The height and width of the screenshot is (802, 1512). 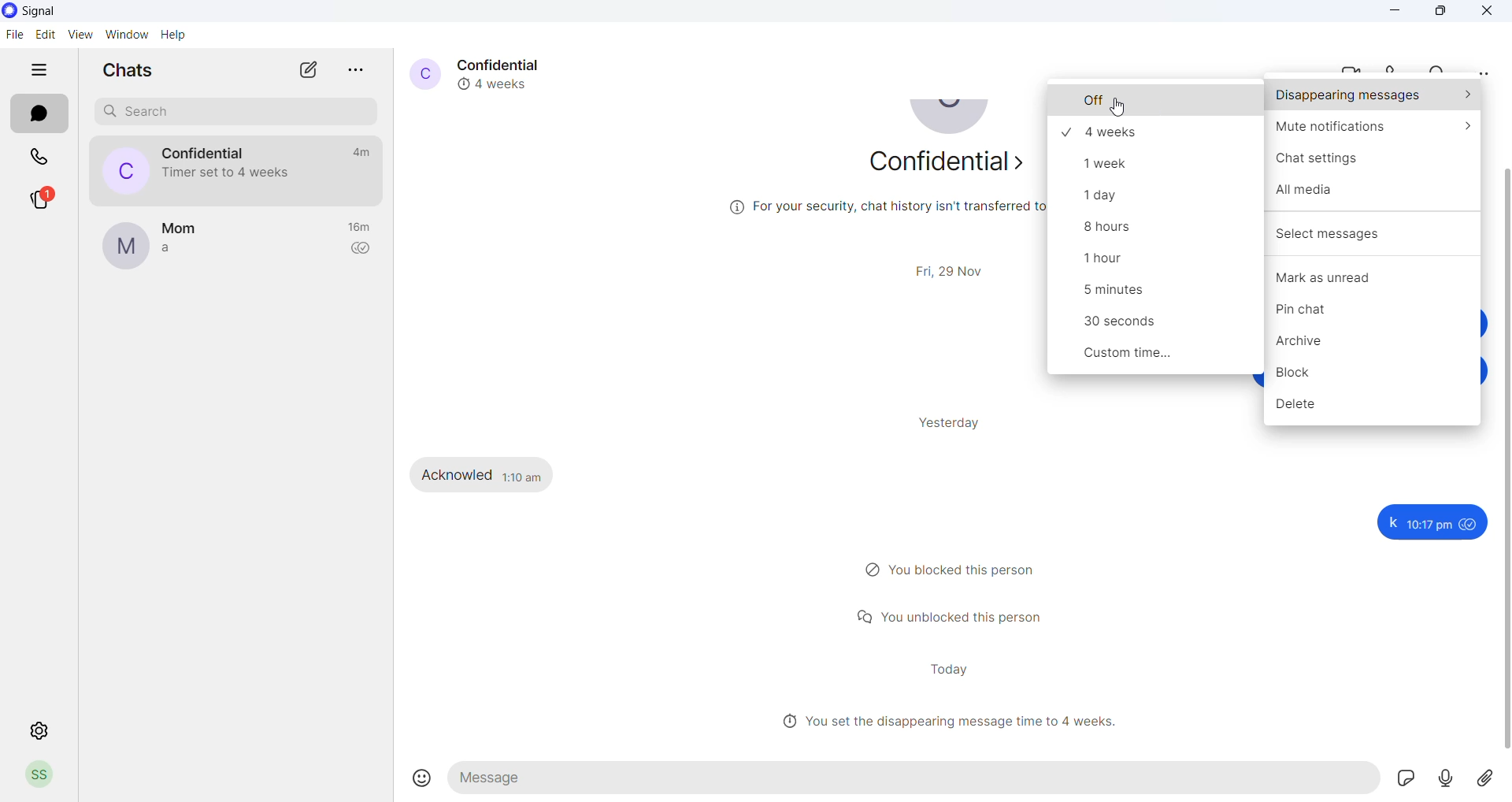 I want to click on new chat, so click(x=308, y=70).